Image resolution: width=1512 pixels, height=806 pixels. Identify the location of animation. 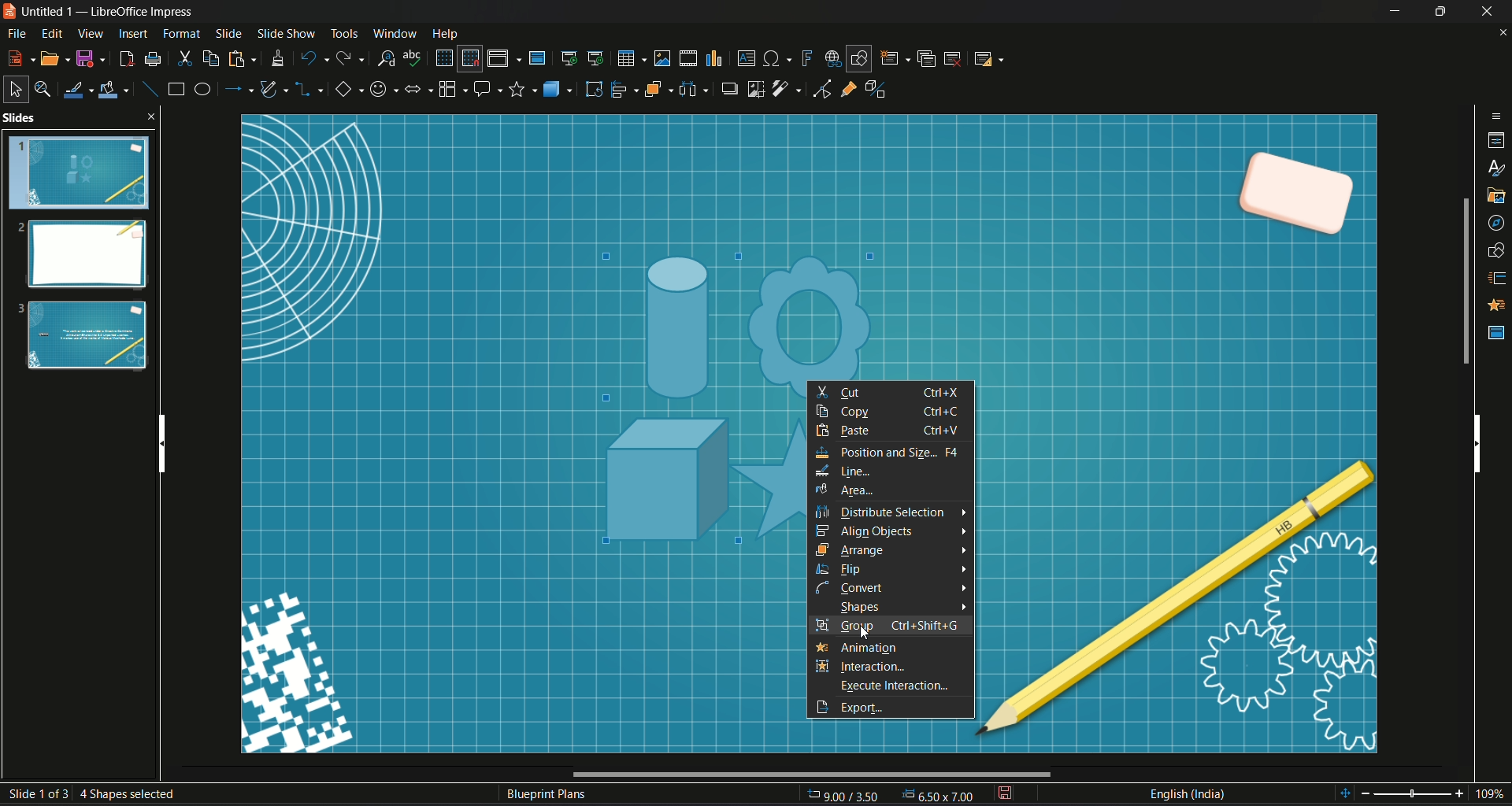
(868, 649).